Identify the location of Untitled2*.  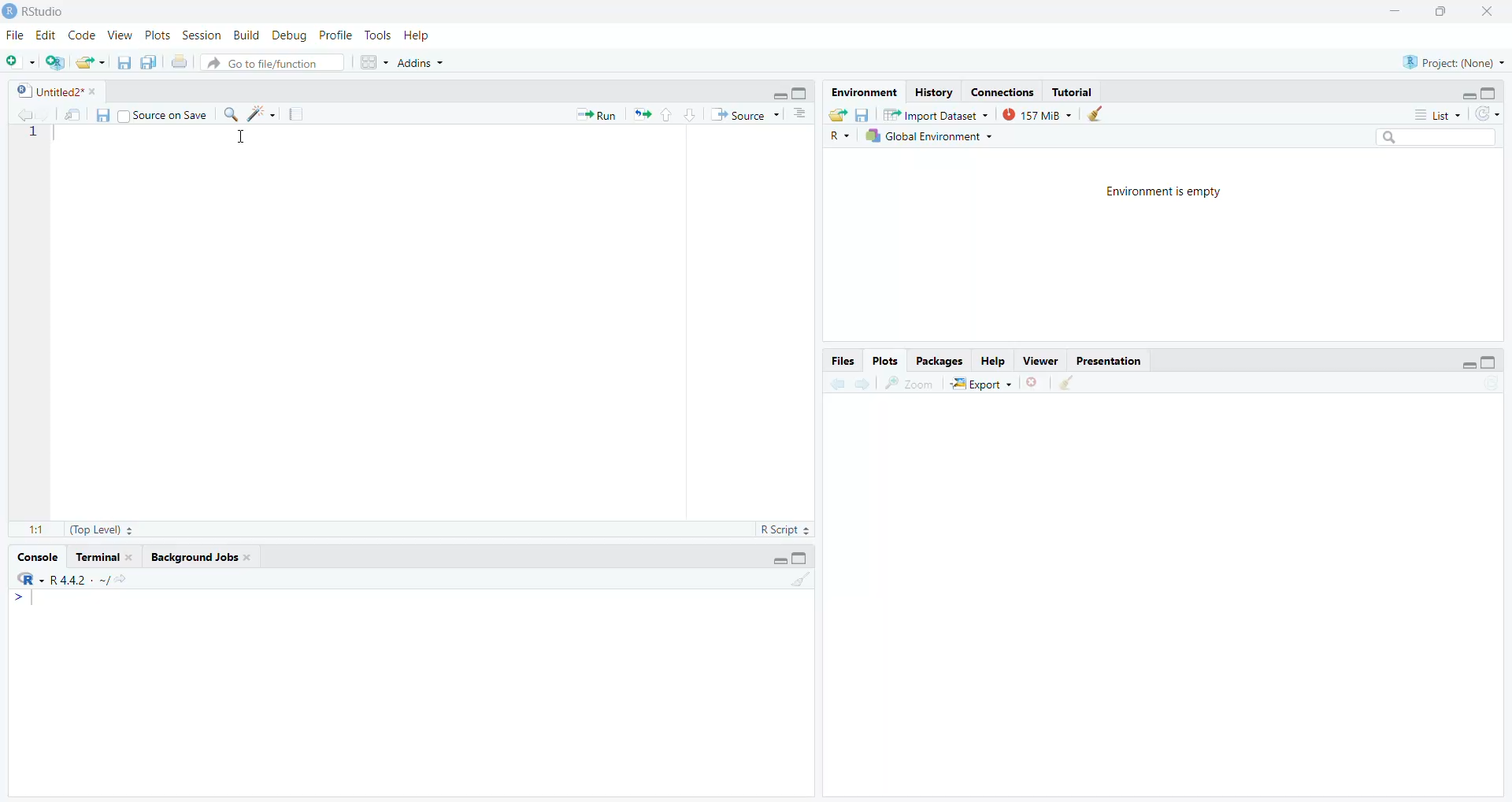
(47, 89).